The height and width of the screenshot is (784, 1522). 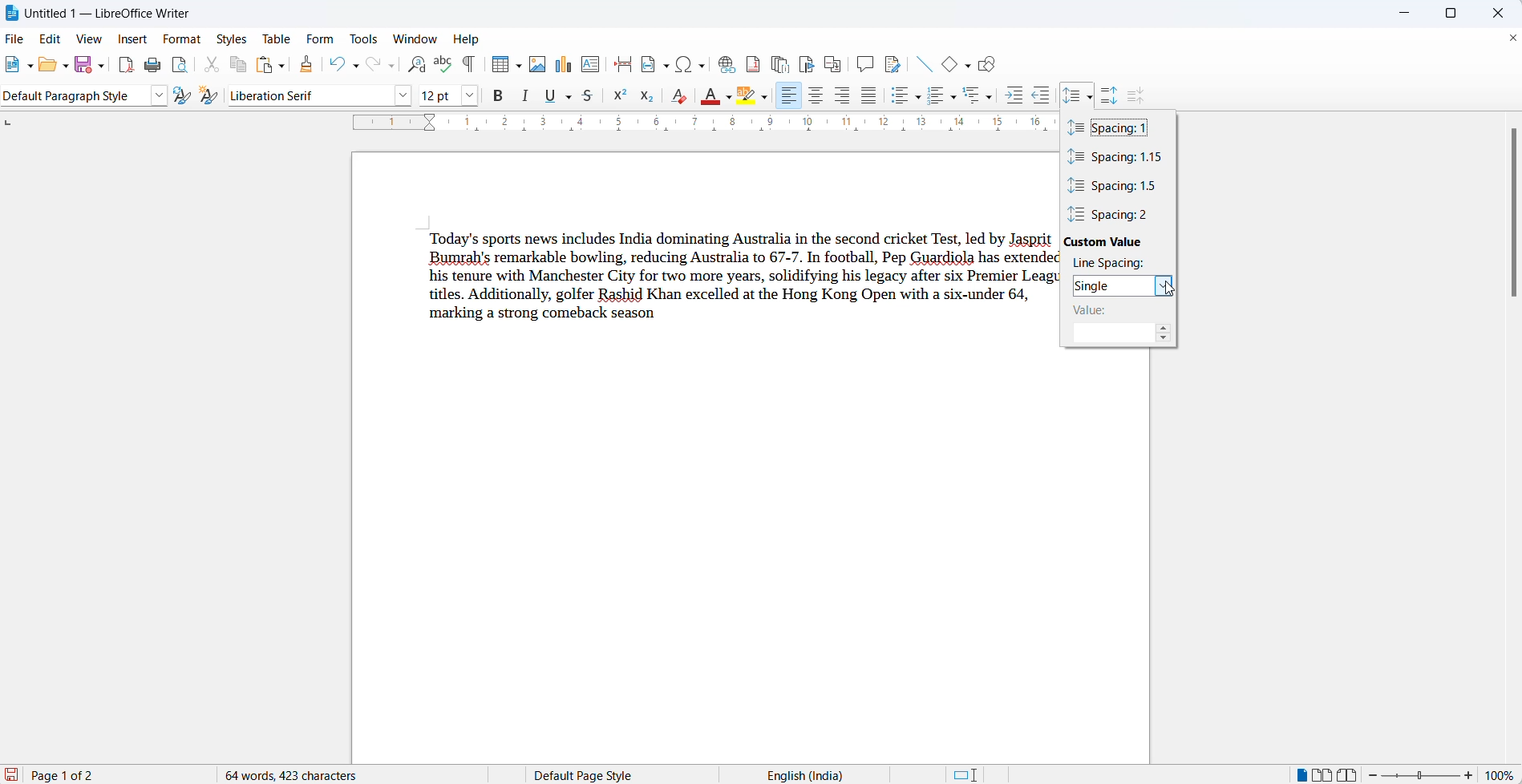 What do you see at coordinates (310, 95) in the screenshot?
I see `font name` at bounding box center [310, 95].